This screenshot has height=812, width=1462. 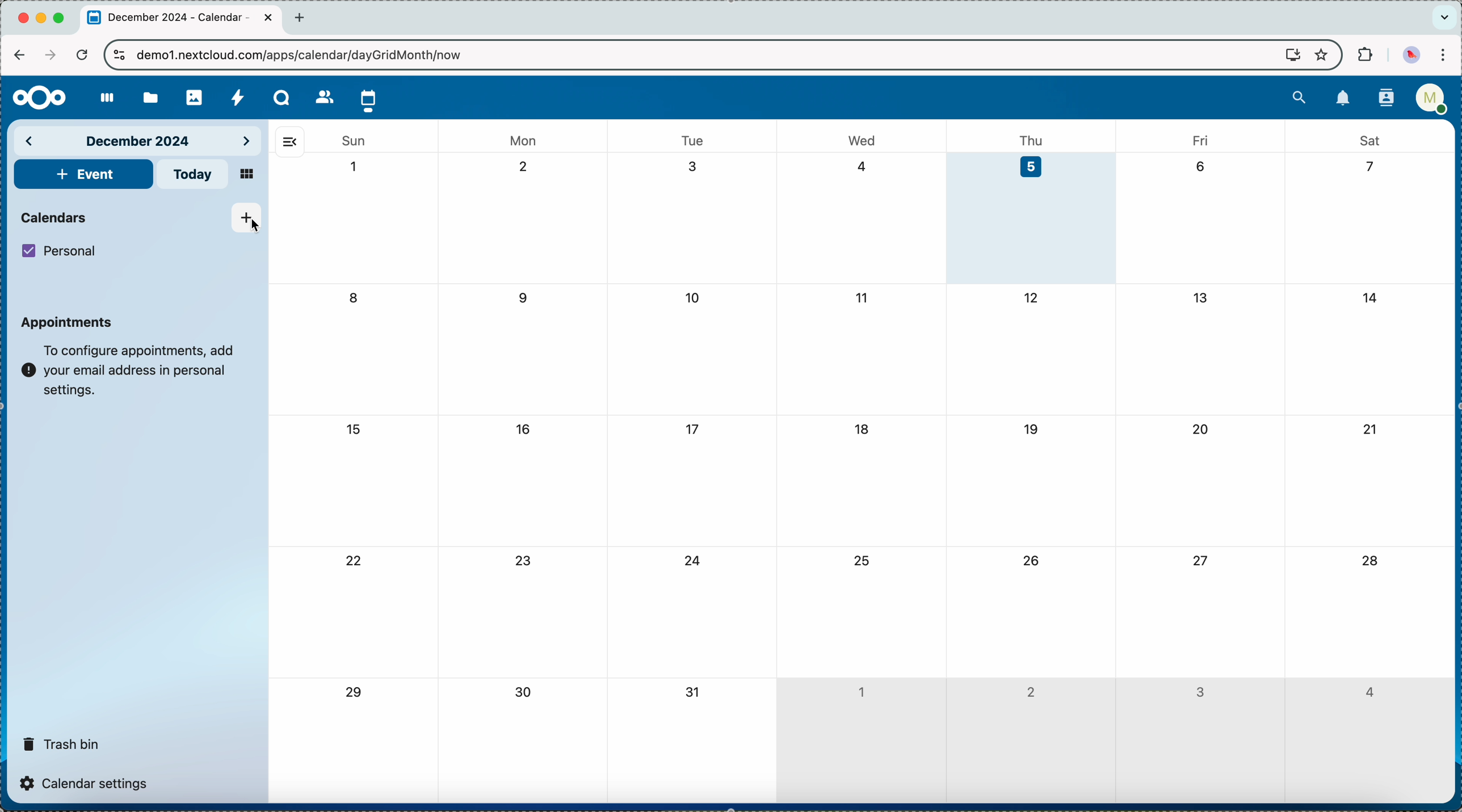 What do you see at coordinates (309, 54) in the screenshot?
I see `URL` at bounding box center [309, 54].